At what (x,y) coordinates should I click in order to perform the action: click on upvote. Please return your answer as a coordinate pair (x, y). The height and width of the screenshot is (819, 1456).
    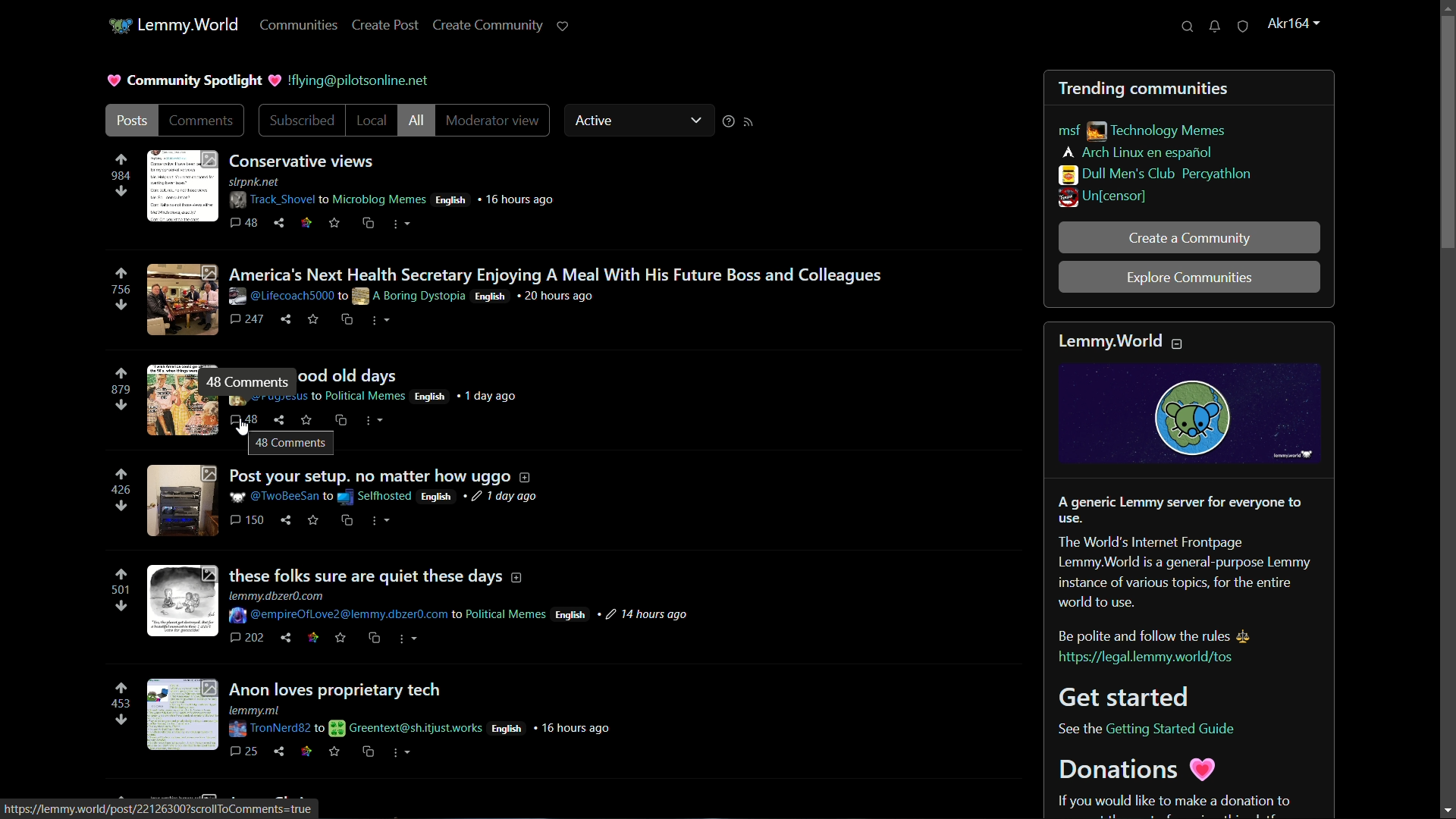
    Looking at the image, I should click on (121, 689).